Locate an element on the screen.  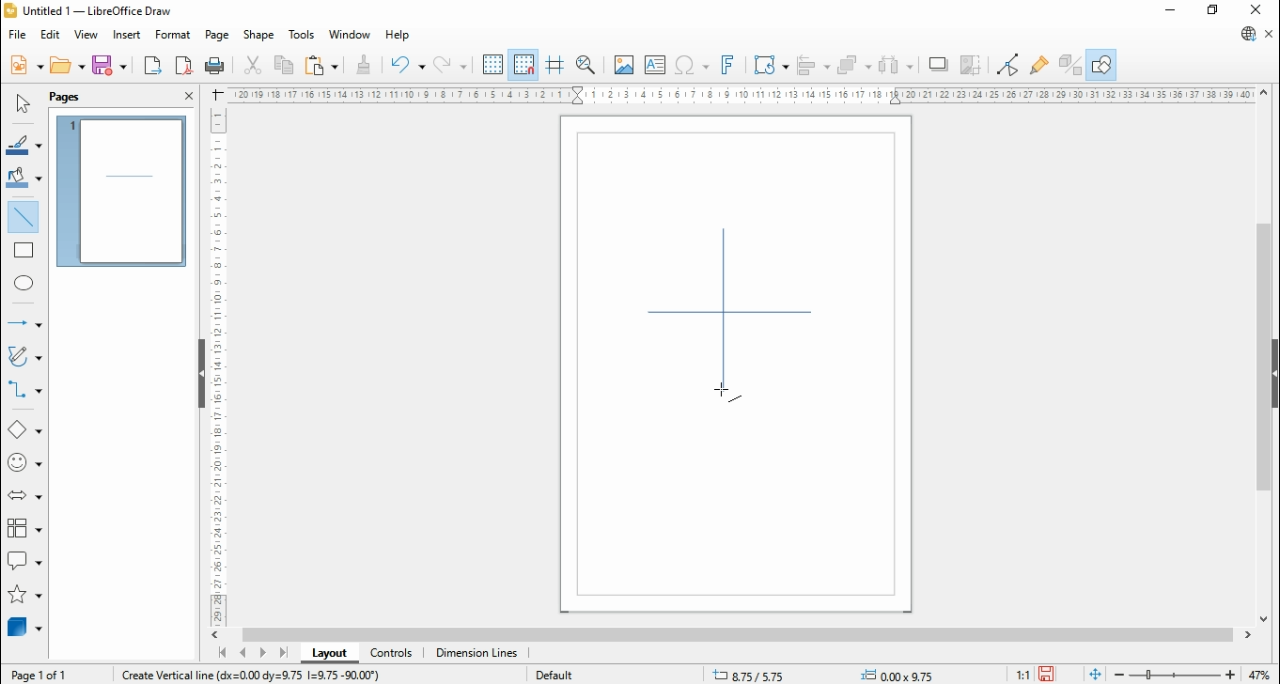
arrange is located at coordinates (856, 63).